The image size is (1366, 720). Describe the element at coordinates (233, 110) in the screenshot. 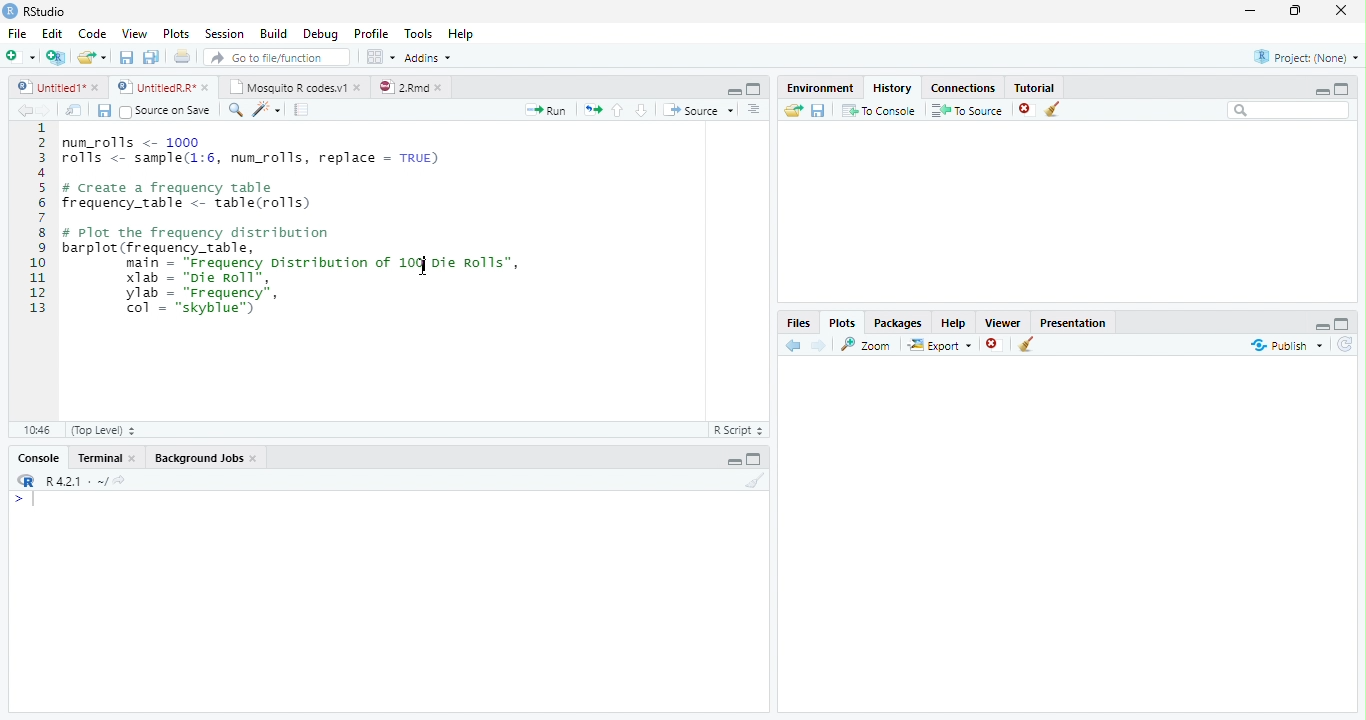

I see `Find/Replace` at that location.